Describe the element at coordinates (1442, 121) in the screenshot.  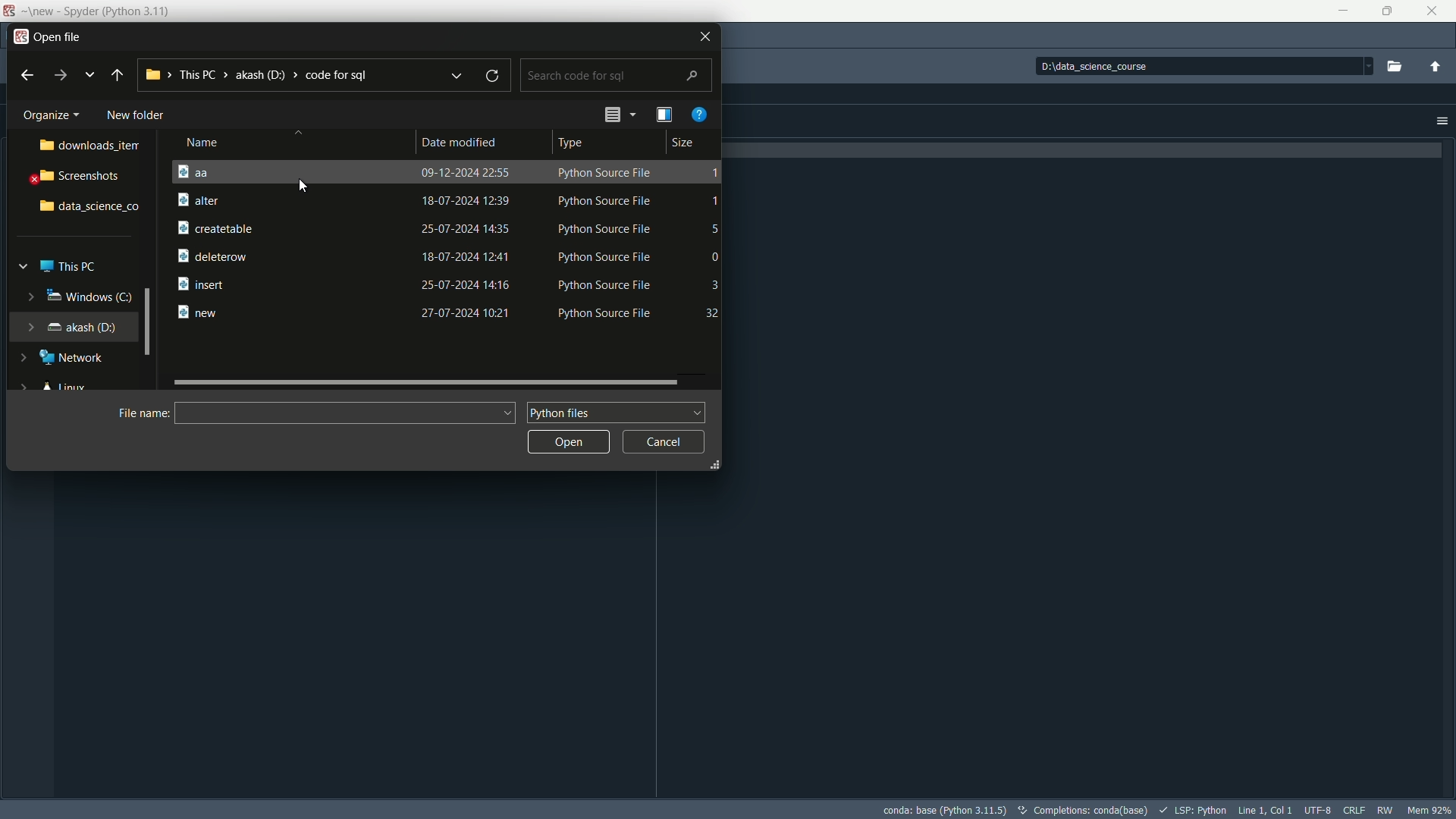
I see `options` at that location.